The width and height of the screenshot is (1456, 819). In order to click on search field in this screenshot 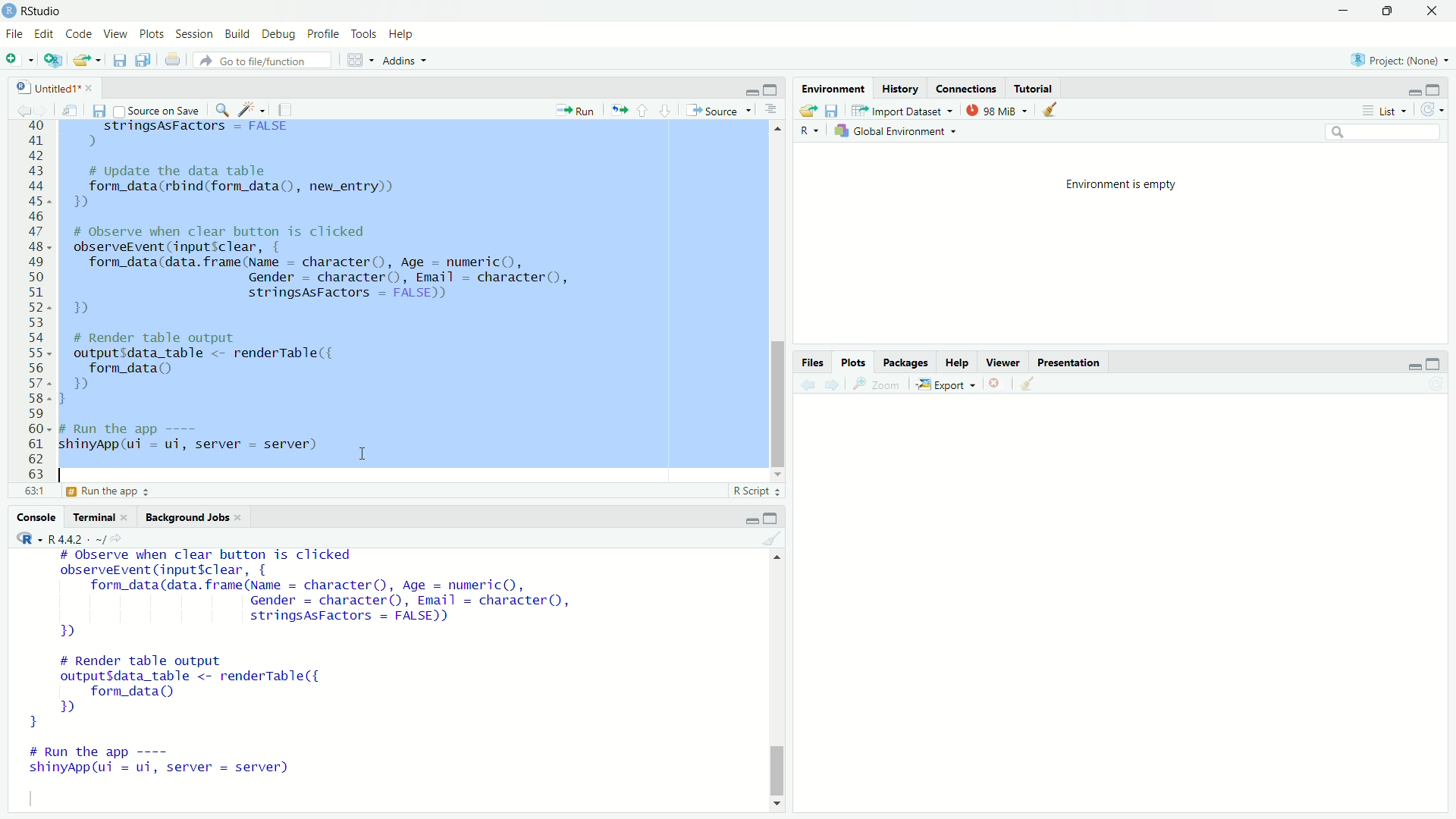, I will do `click(1385, 135)`.